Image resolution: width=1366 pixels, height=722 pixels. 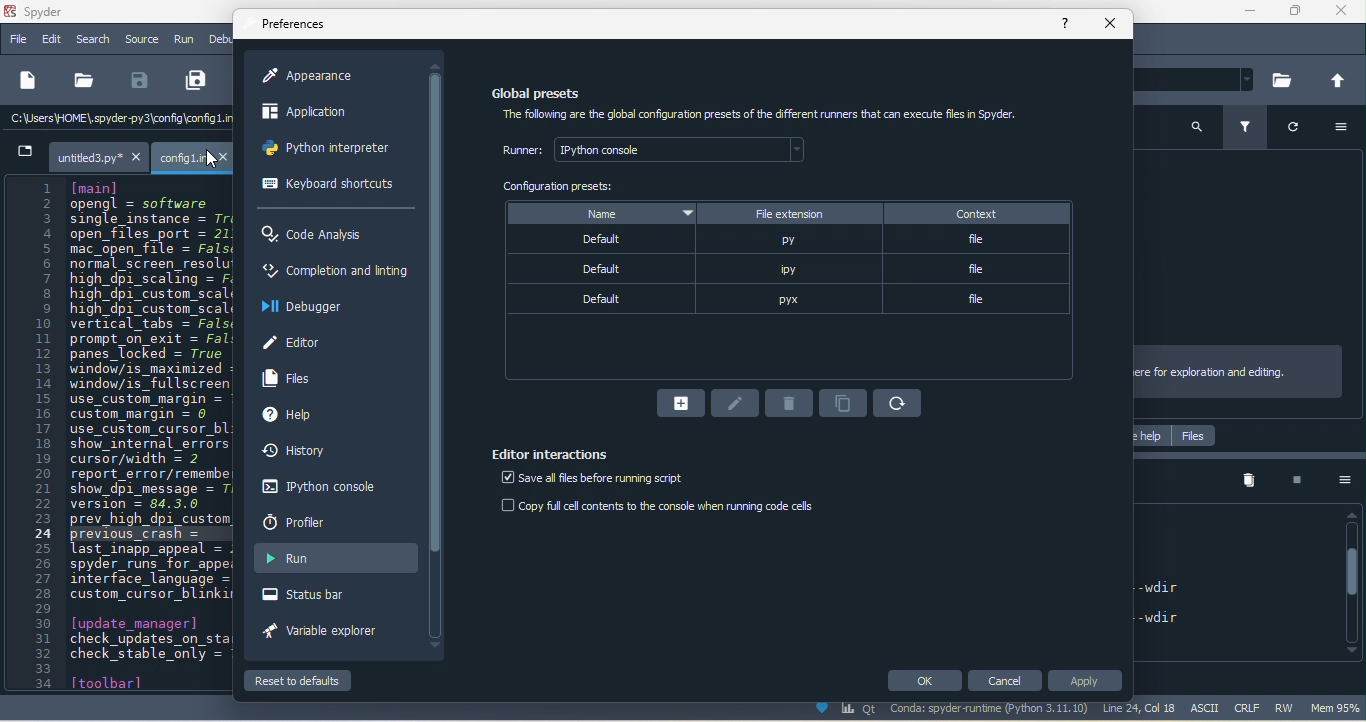 I want to click on editor, so click(x=302, y=341).